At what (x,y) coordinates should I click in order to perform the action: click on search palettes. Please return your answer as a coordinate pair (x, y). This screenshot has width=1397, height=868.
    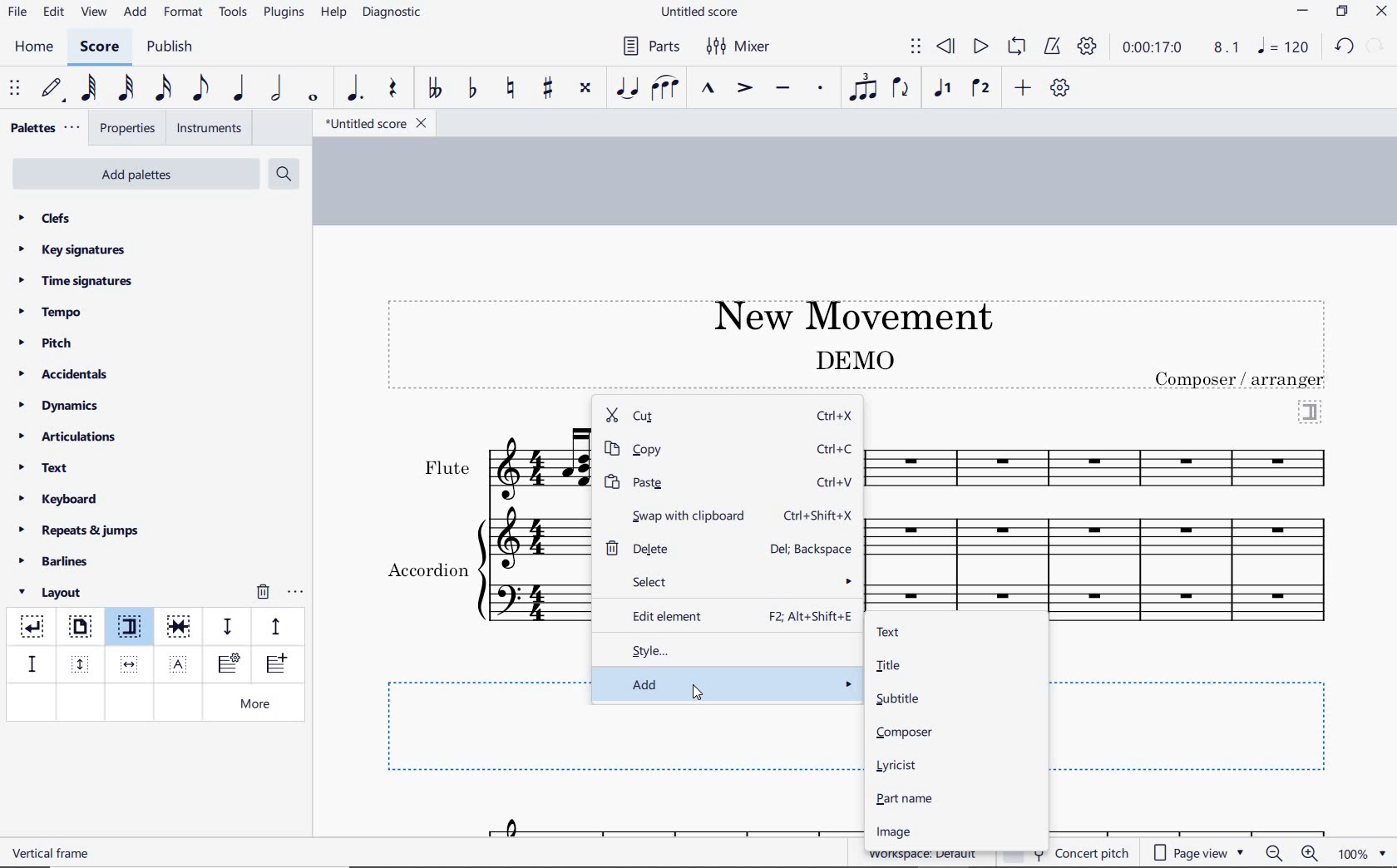
    Looking at the image, I should click on (282, 175).